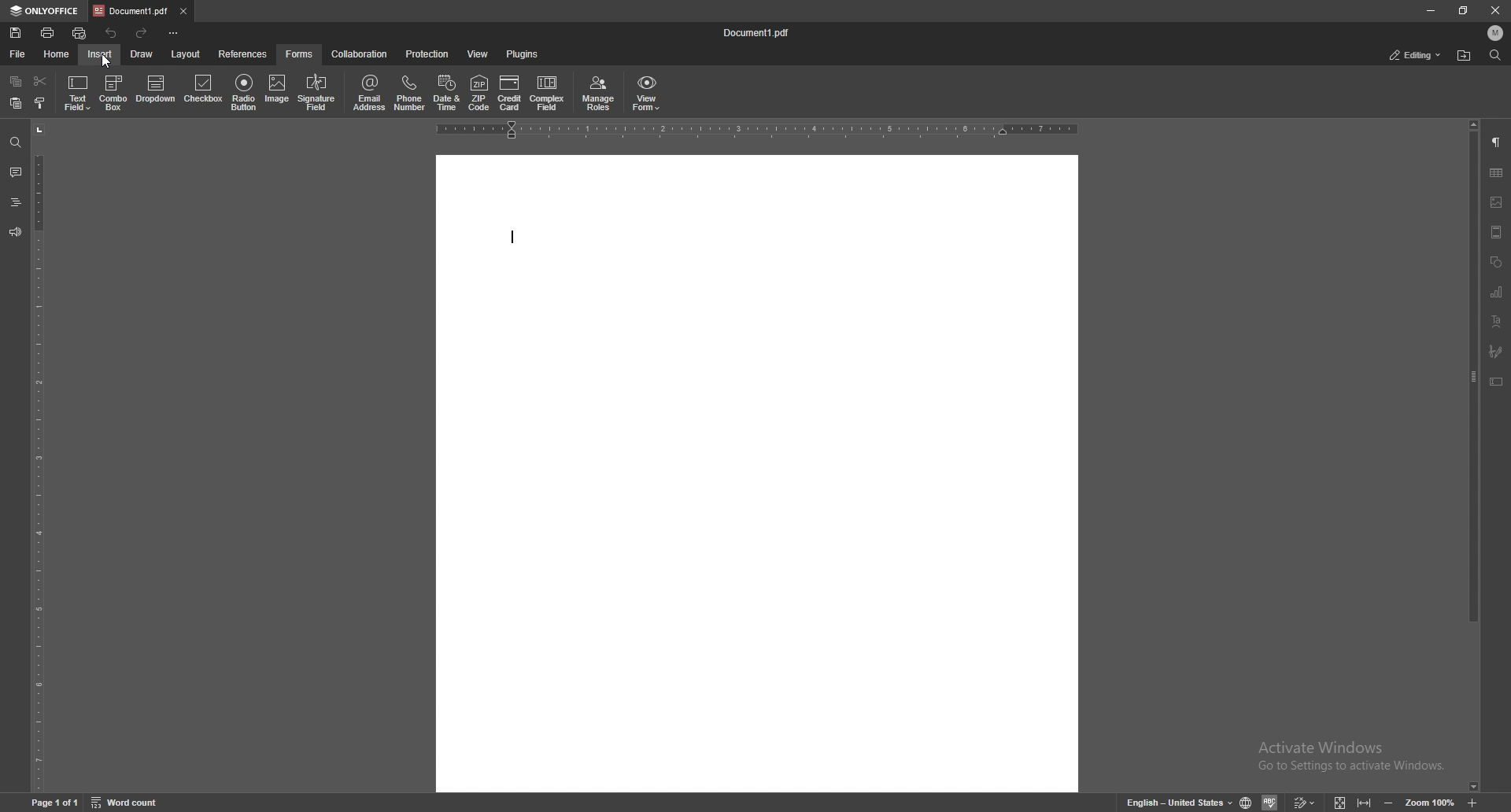 Image resolution: width=1511 pixels, height=812 pixels. I want to click on profile, so click(1497, 32).